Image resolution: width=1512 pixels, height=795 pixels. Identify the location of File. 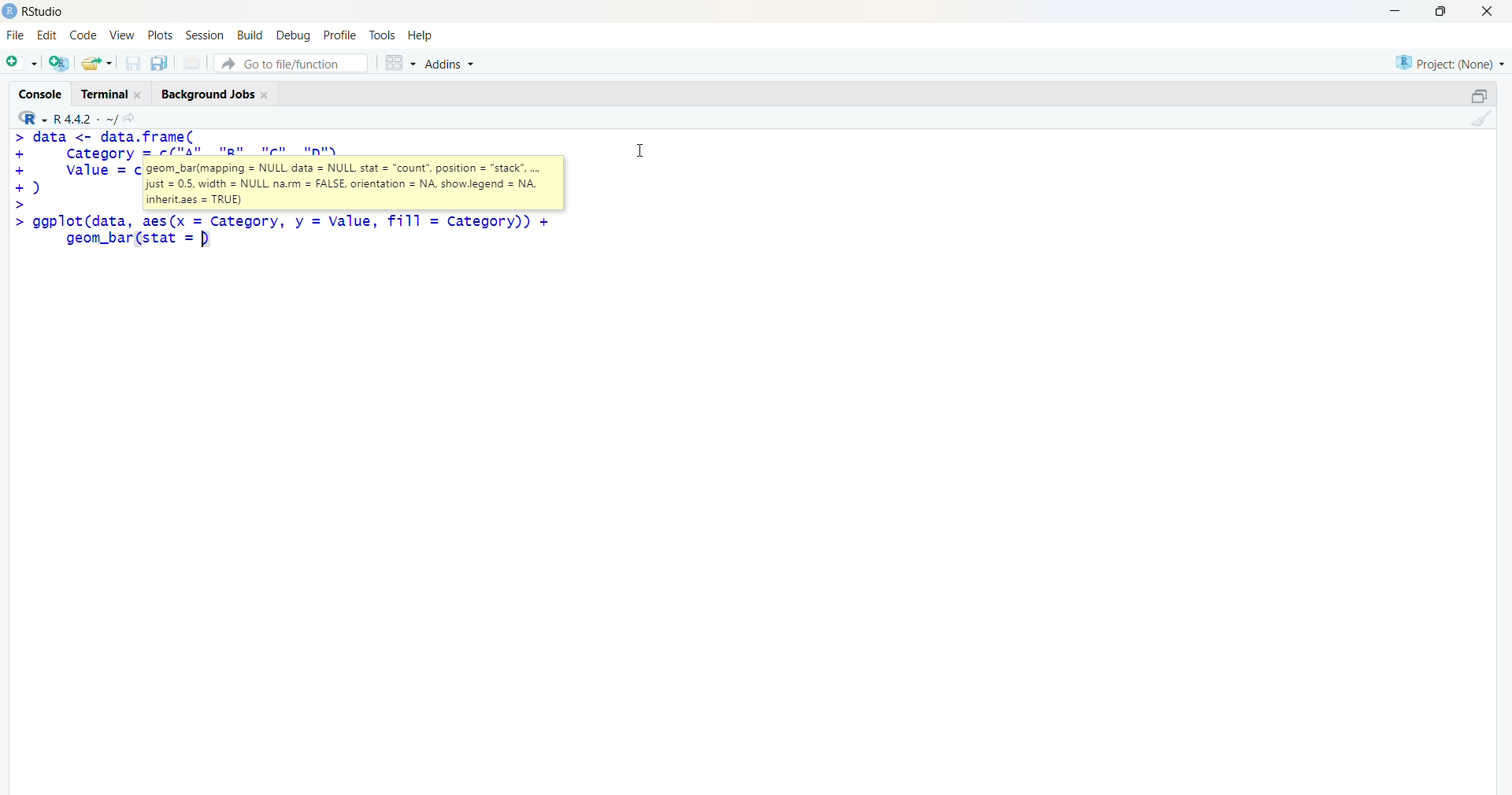
(16, 35).